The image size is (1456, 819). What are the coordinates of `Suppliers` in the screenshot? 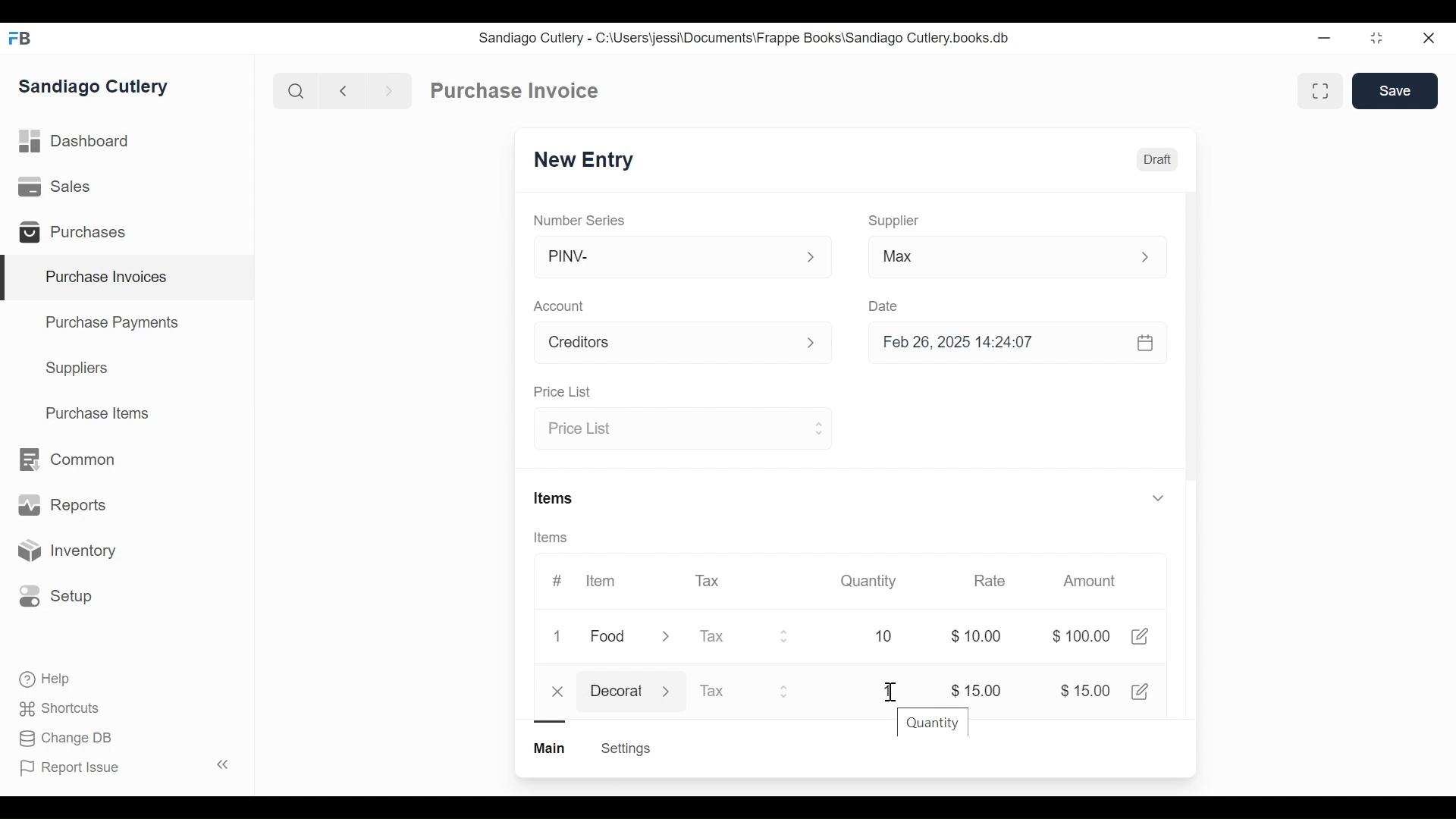 It's located at (77, 369).